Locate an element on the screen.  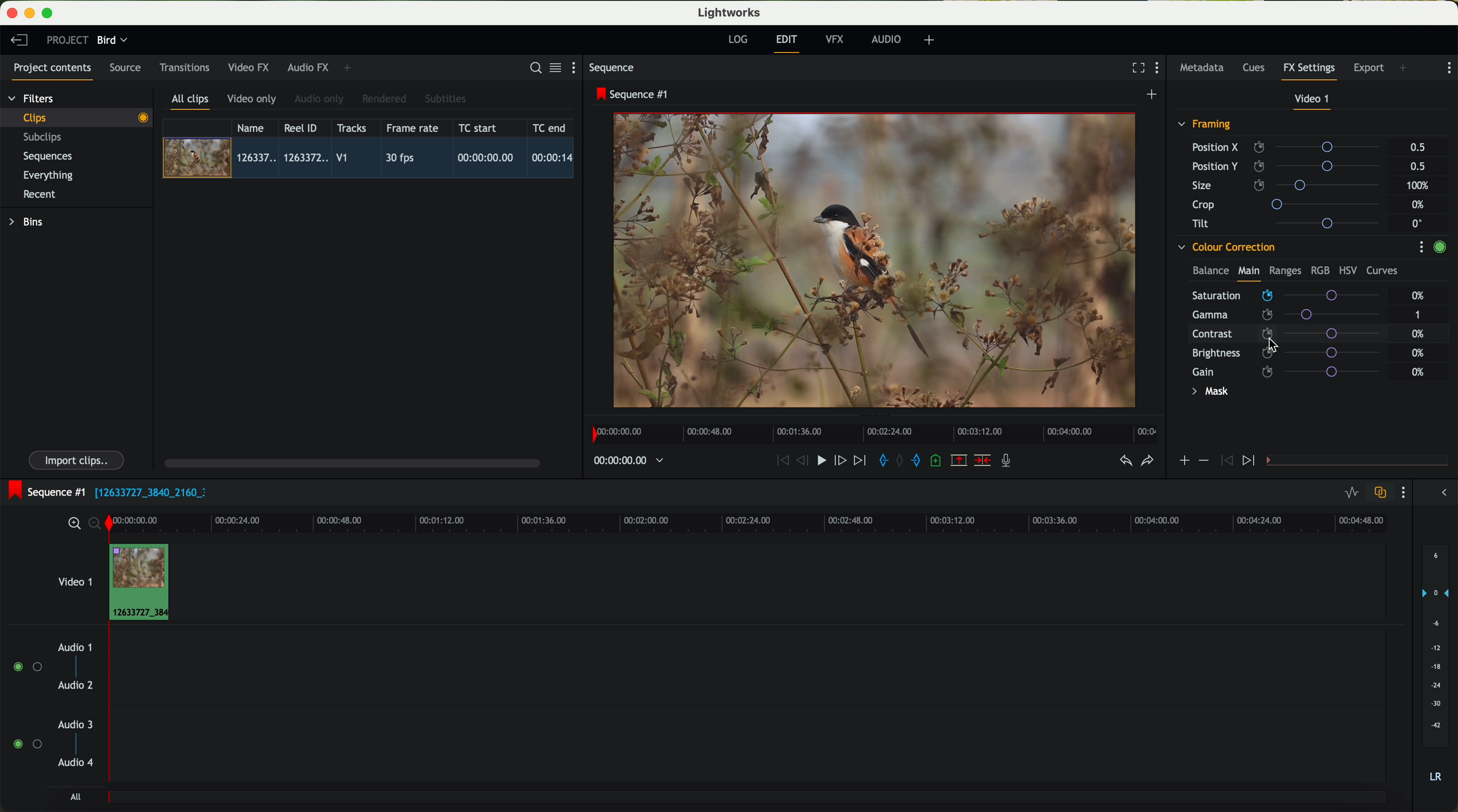
move foward is located at coordinates (859, 461).